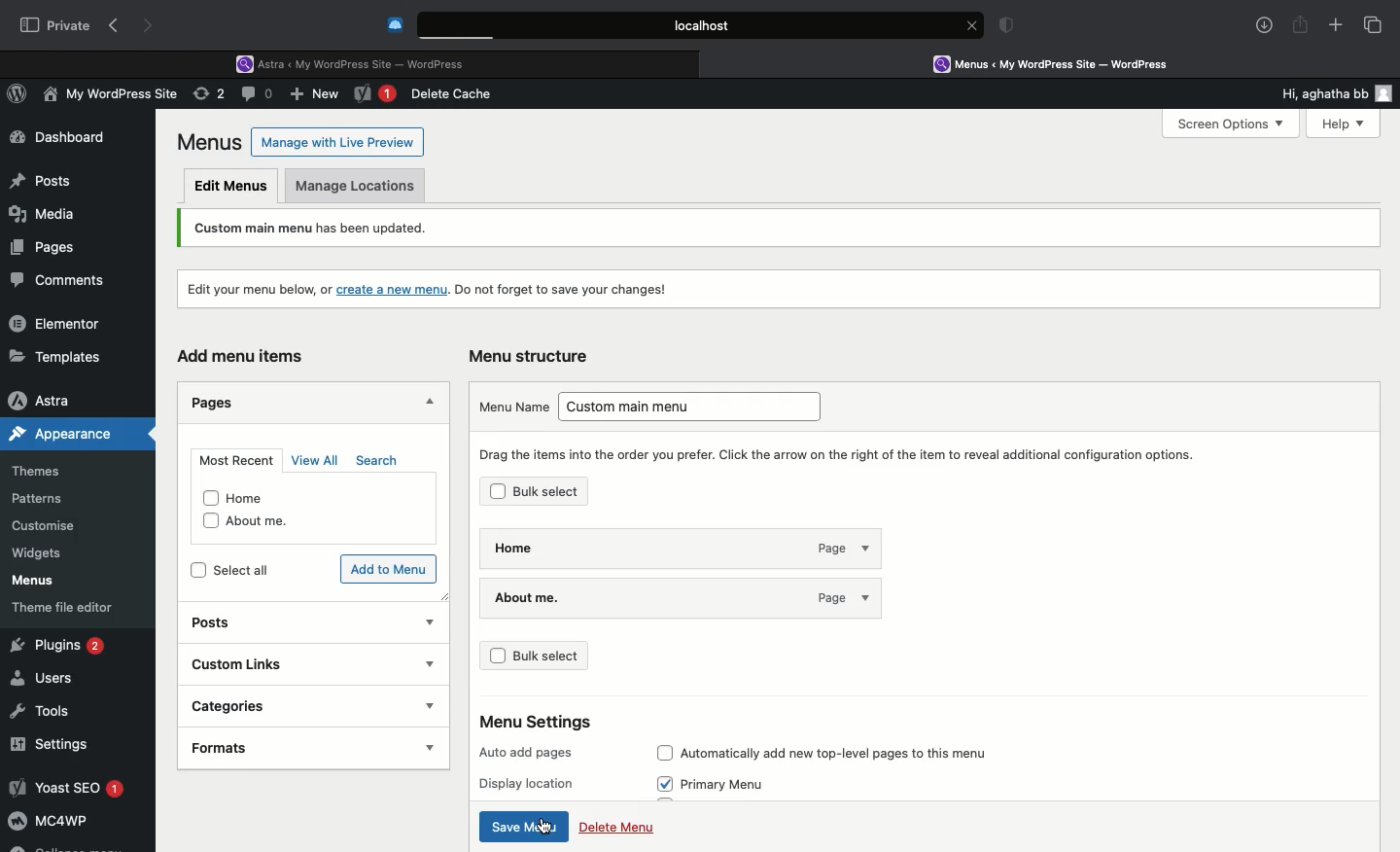 The height and width of the screenshot is (852, 1400). Describe the element at coordinates (49, 824) in the screenshot. I see `MC4WP` at that location.